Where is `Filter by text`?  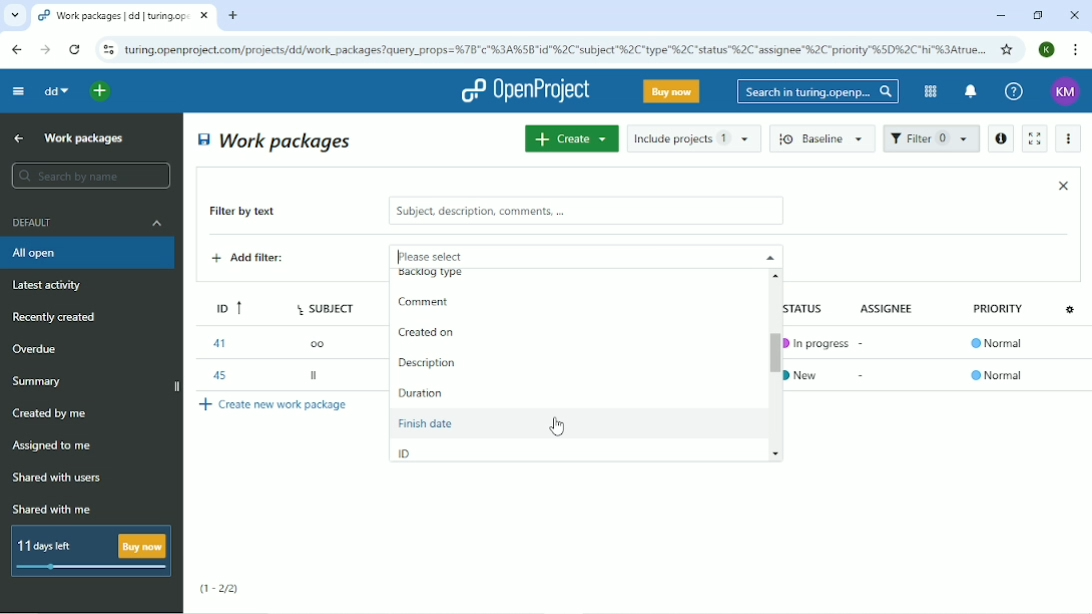 Filter by text is located at coordinates (257, 213).